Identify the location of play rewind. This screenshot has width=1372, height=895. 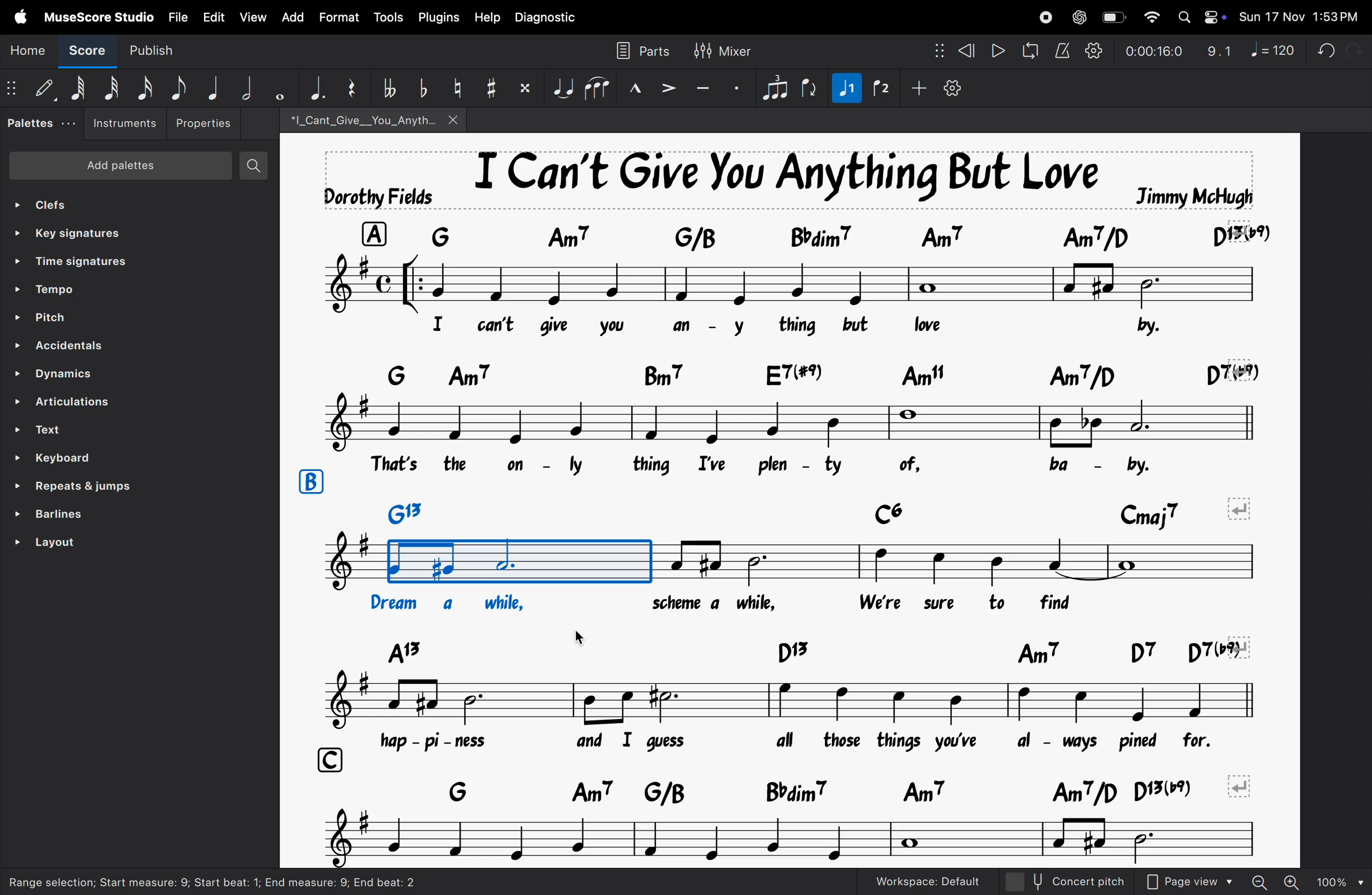
(997, 50).